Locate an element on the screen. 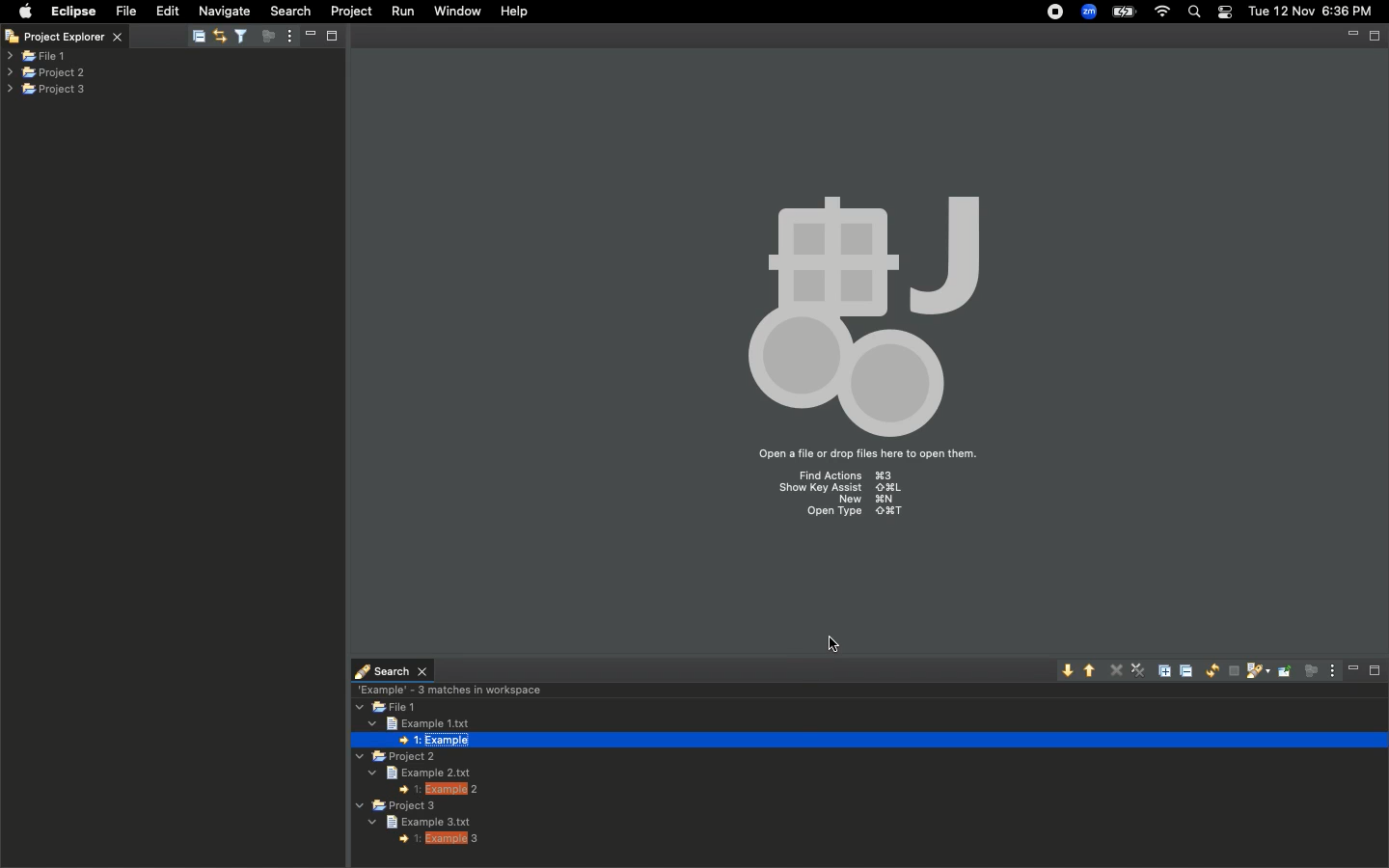  Maximize is located at coordinates (1376, 670).